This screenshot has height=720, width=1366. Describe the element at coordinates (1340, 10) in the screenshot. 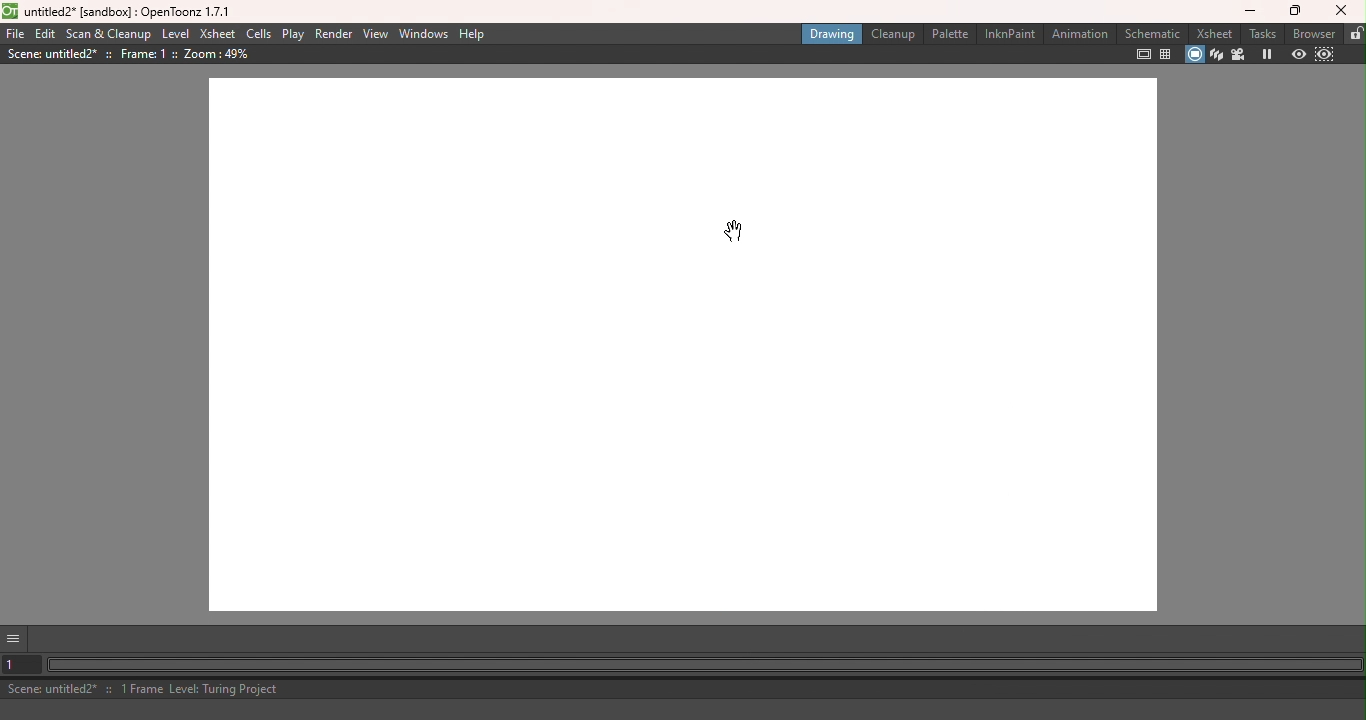

I see `Close` at that location.